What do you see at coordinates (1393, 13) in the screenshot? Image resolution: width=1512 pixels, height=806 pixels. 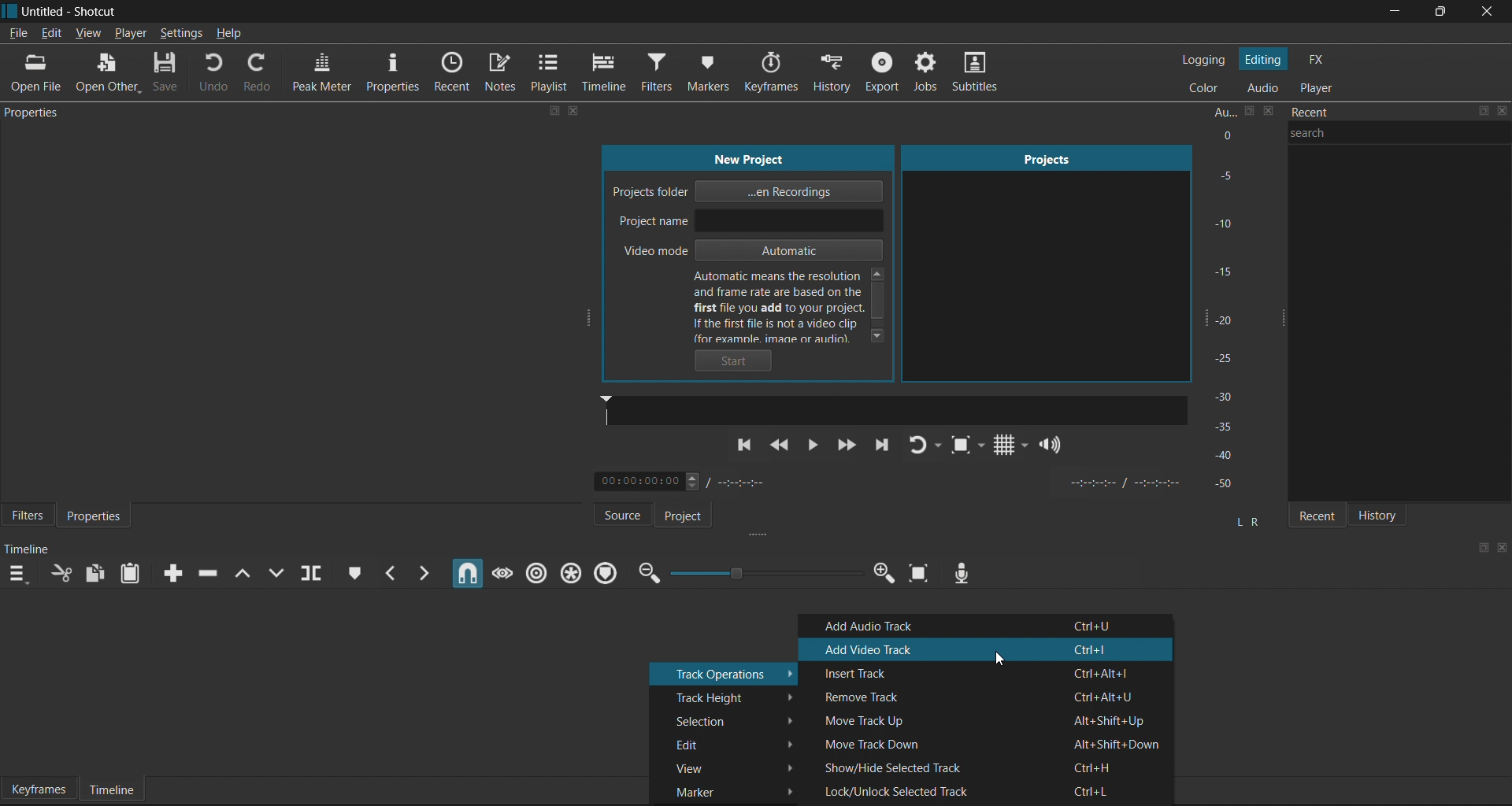 I see `minimize` at bounding box center [1393, 13].